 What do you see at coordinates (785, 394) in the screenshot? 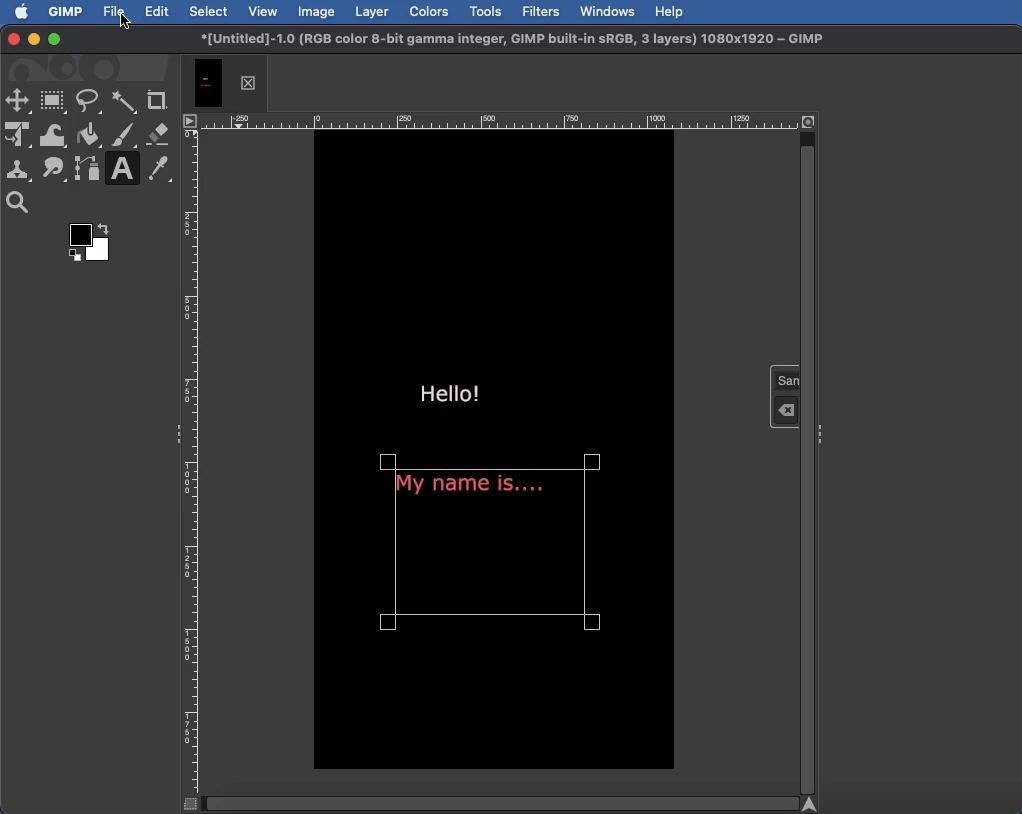
I see `Text tool` at bounding box center [785, 394].